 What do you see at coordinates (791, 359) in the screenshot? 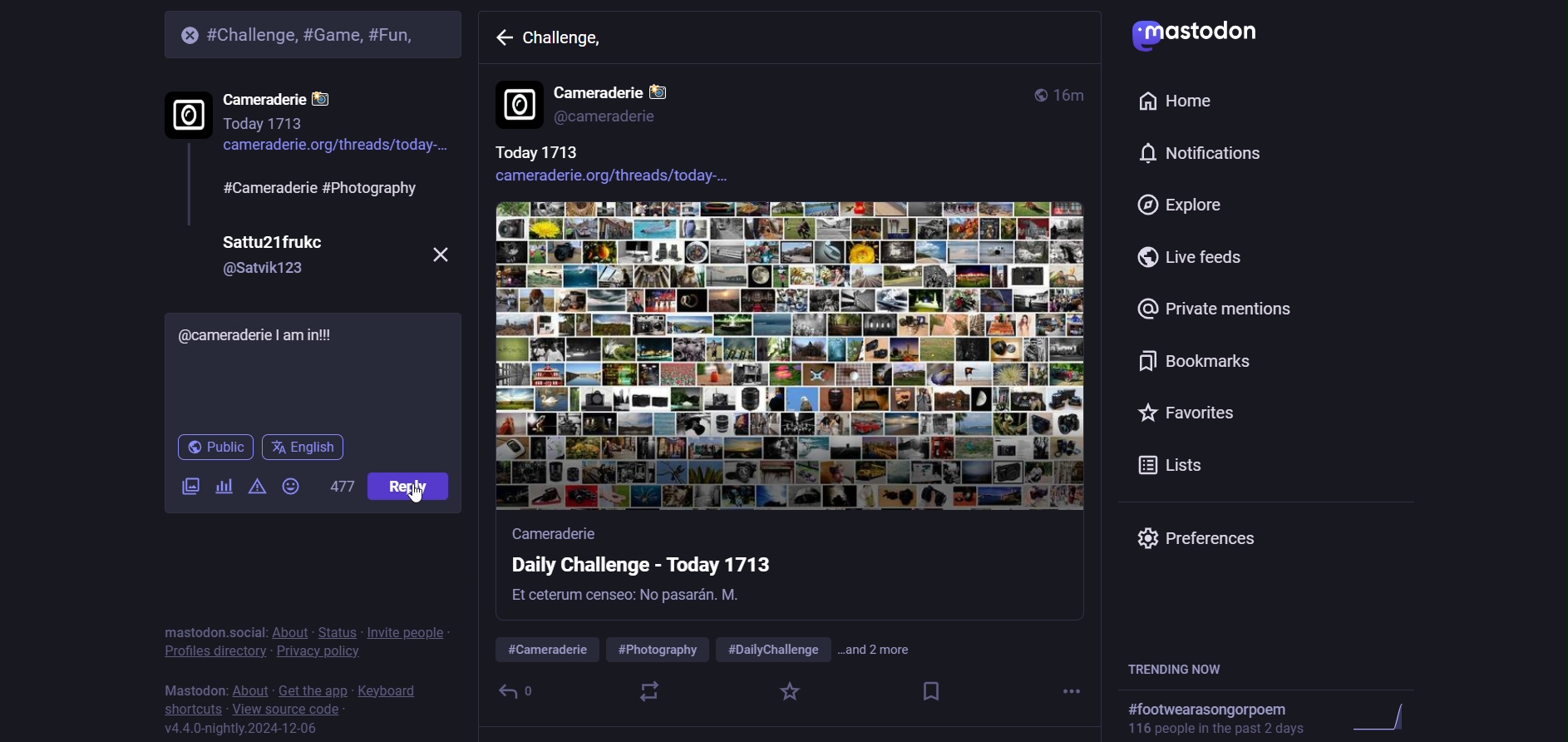
I see `image` at bounding box center [791, 359].